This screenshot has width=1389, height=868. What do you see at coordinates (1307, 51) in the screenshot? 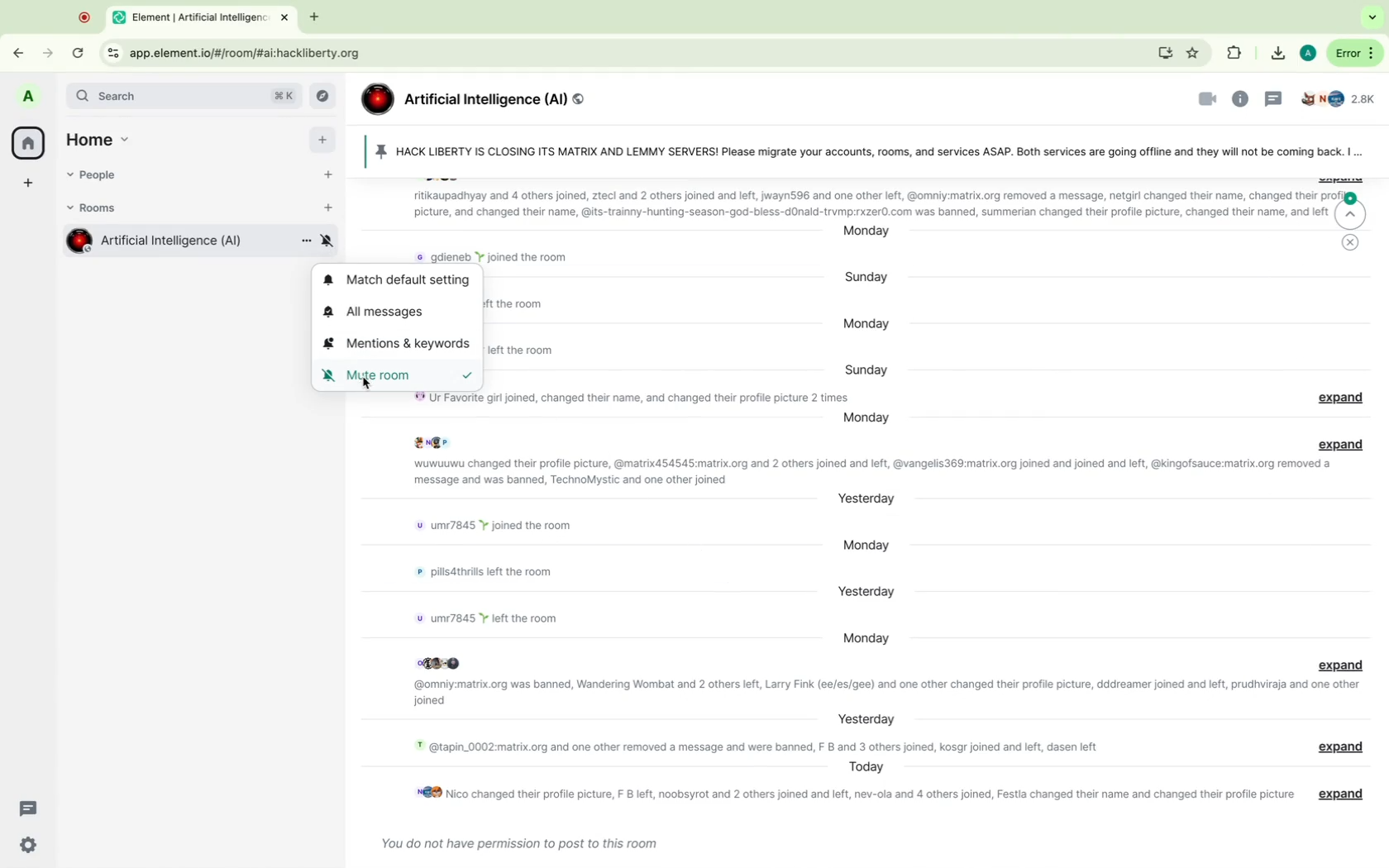
I see `google profile` at bounding box center [1307, 51].